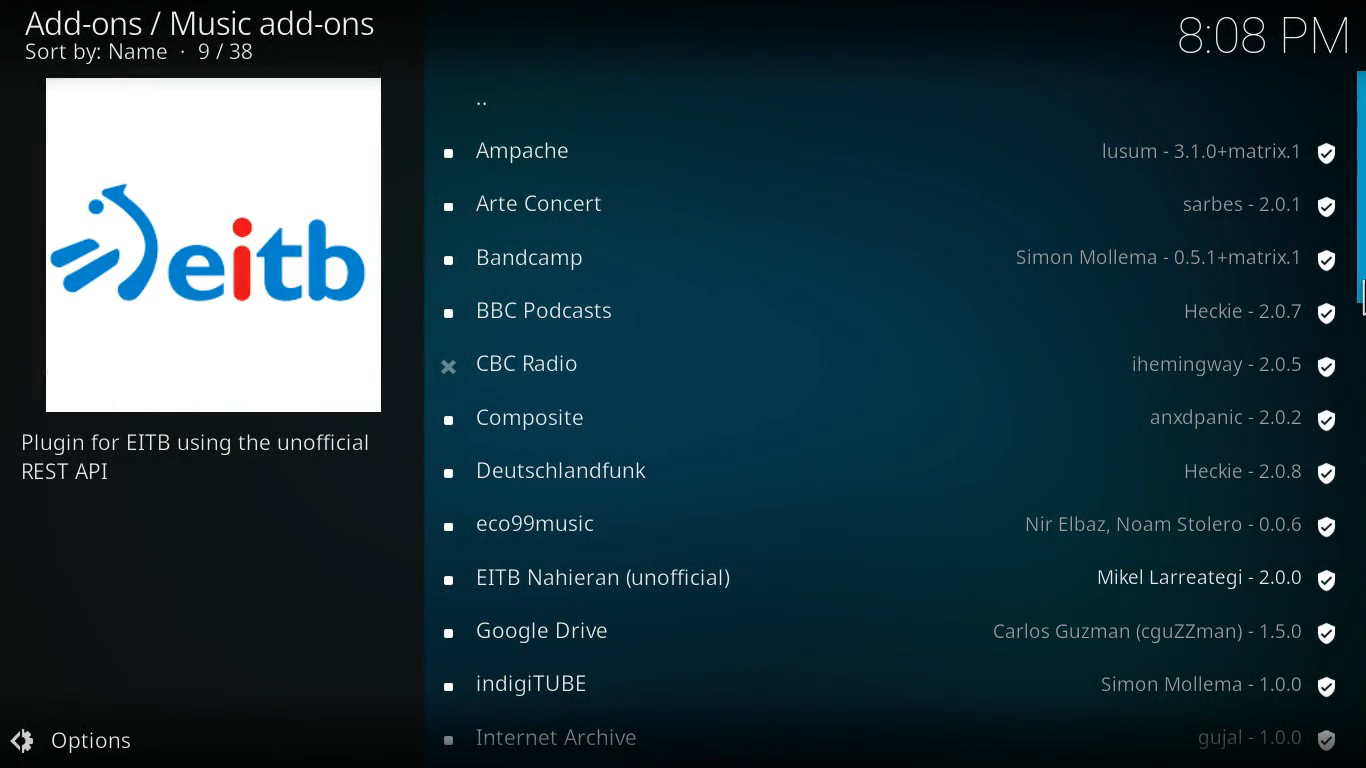 This screenshot has width=1366, height=768. What do you see at coordinates (1241, 416) in the screenshot?
I see `provide` at bounding box center [1241, 416].